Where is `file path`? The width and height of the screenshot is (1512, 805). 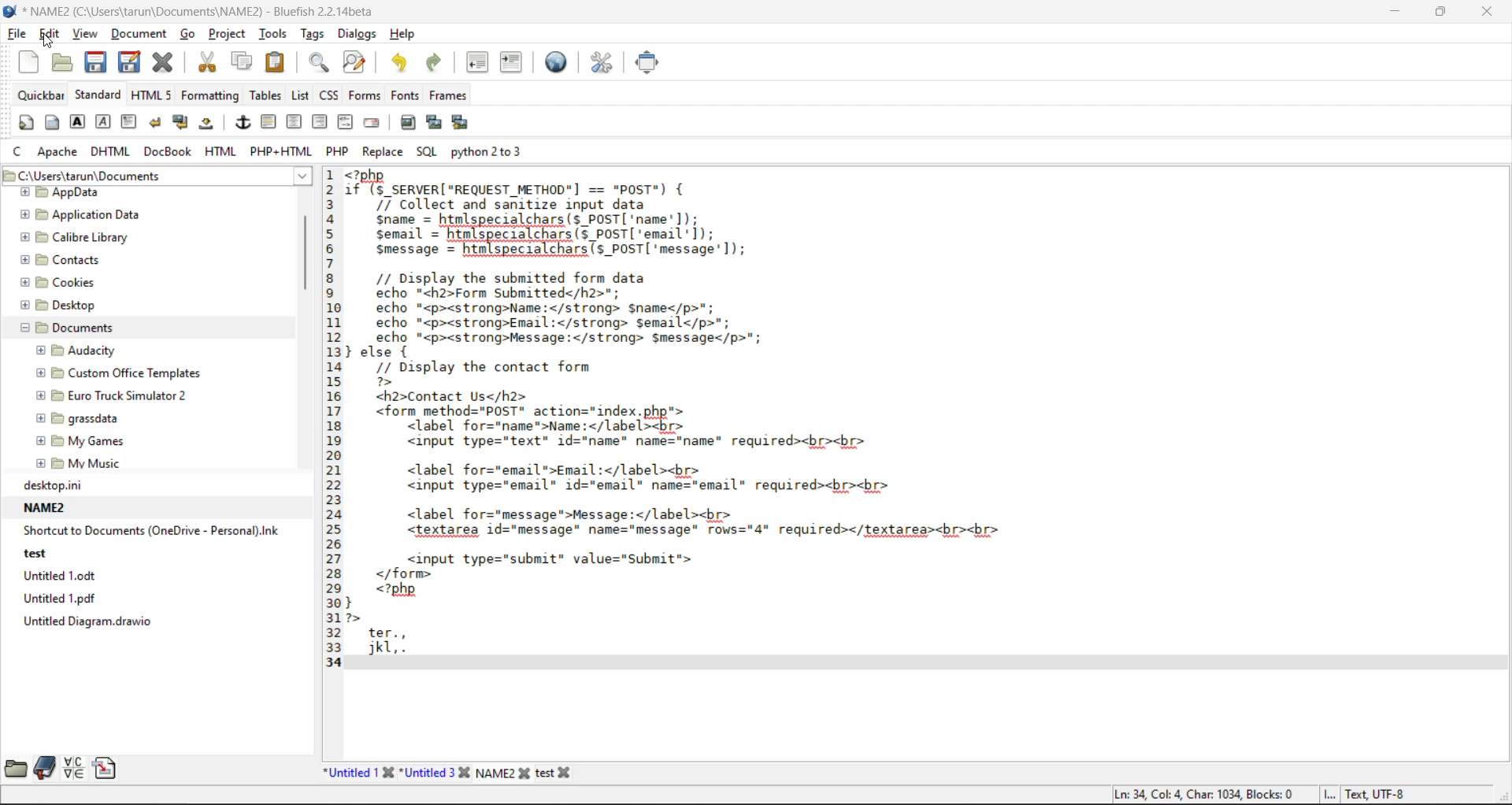 file path is located at coordinates (156, 173).